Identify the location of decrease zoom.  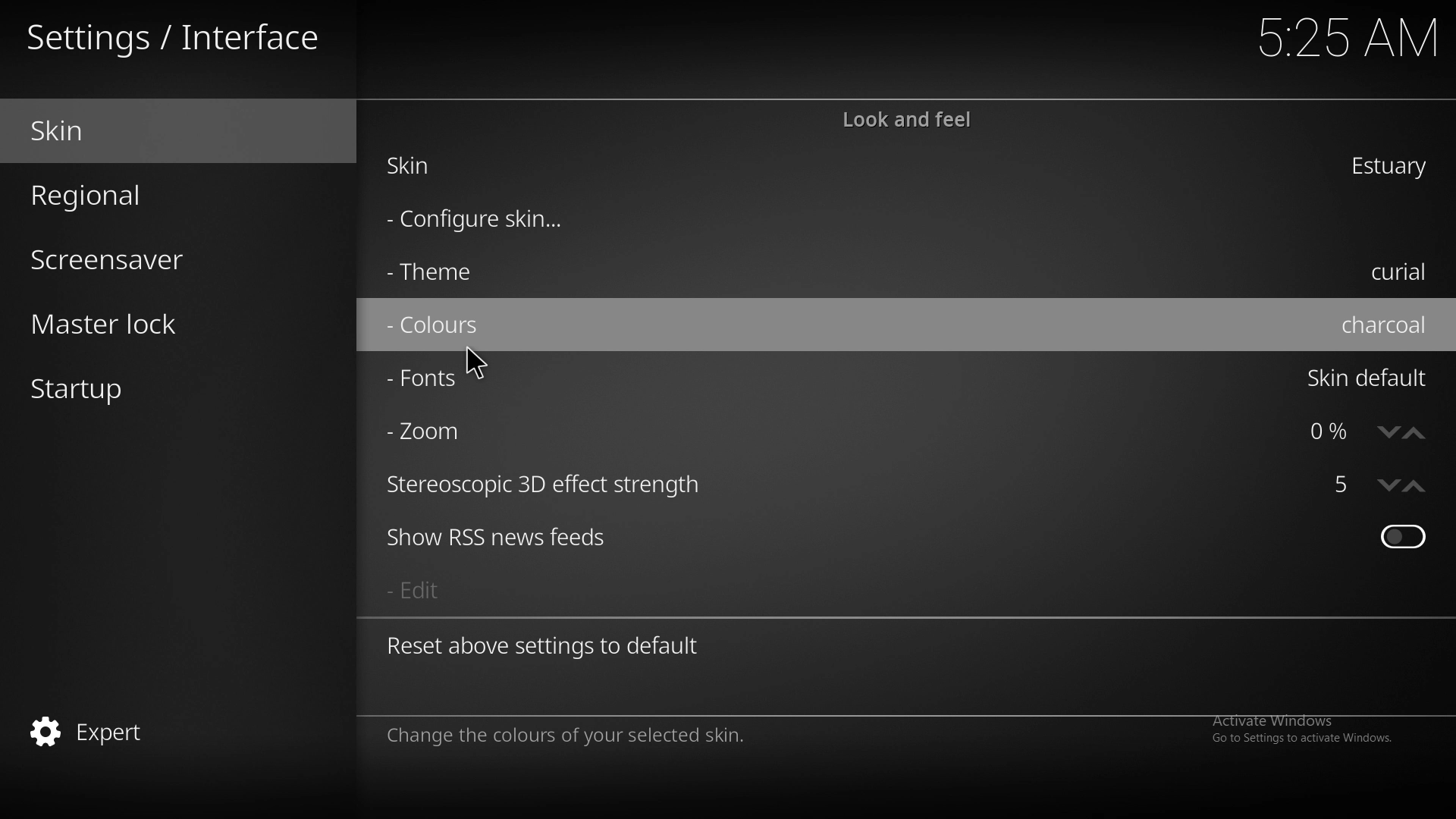
(1388, 430).